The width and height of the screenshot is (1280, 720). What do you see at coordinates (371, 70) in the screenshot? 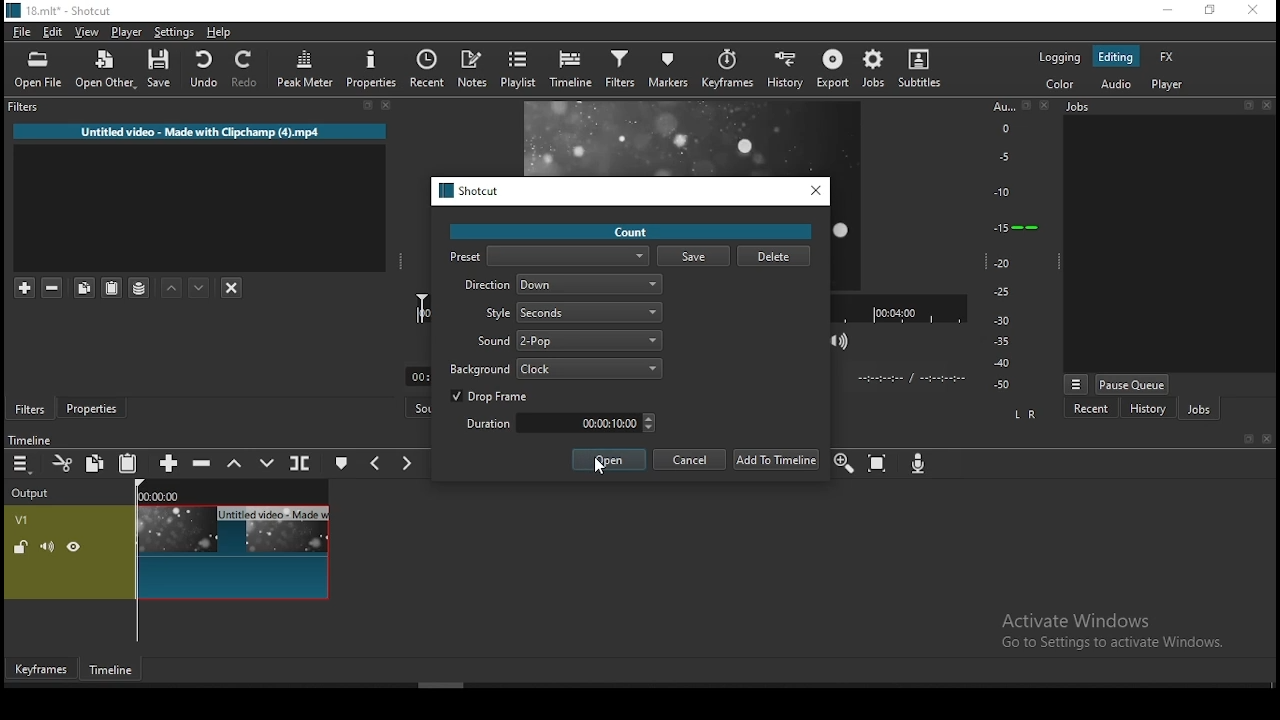
I see `properties` at bounding box center [371, 70].